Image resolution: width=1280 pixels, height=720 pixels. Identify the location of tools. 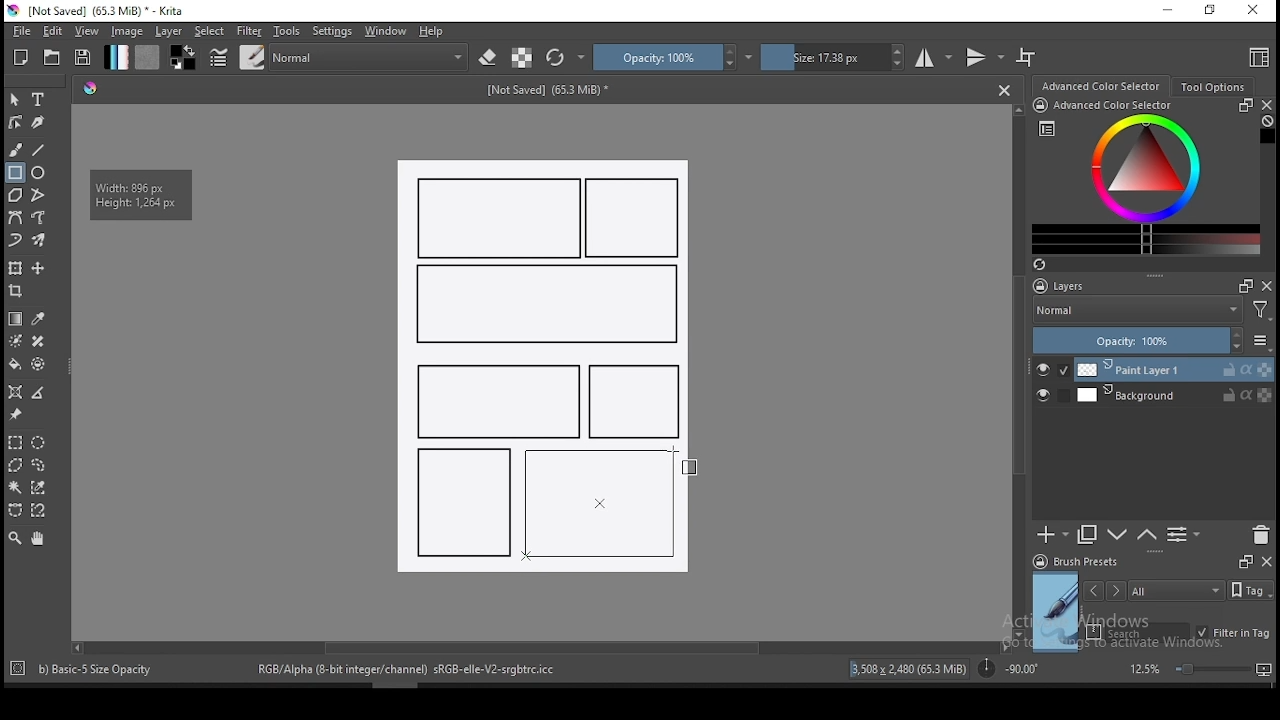
(287, 31).